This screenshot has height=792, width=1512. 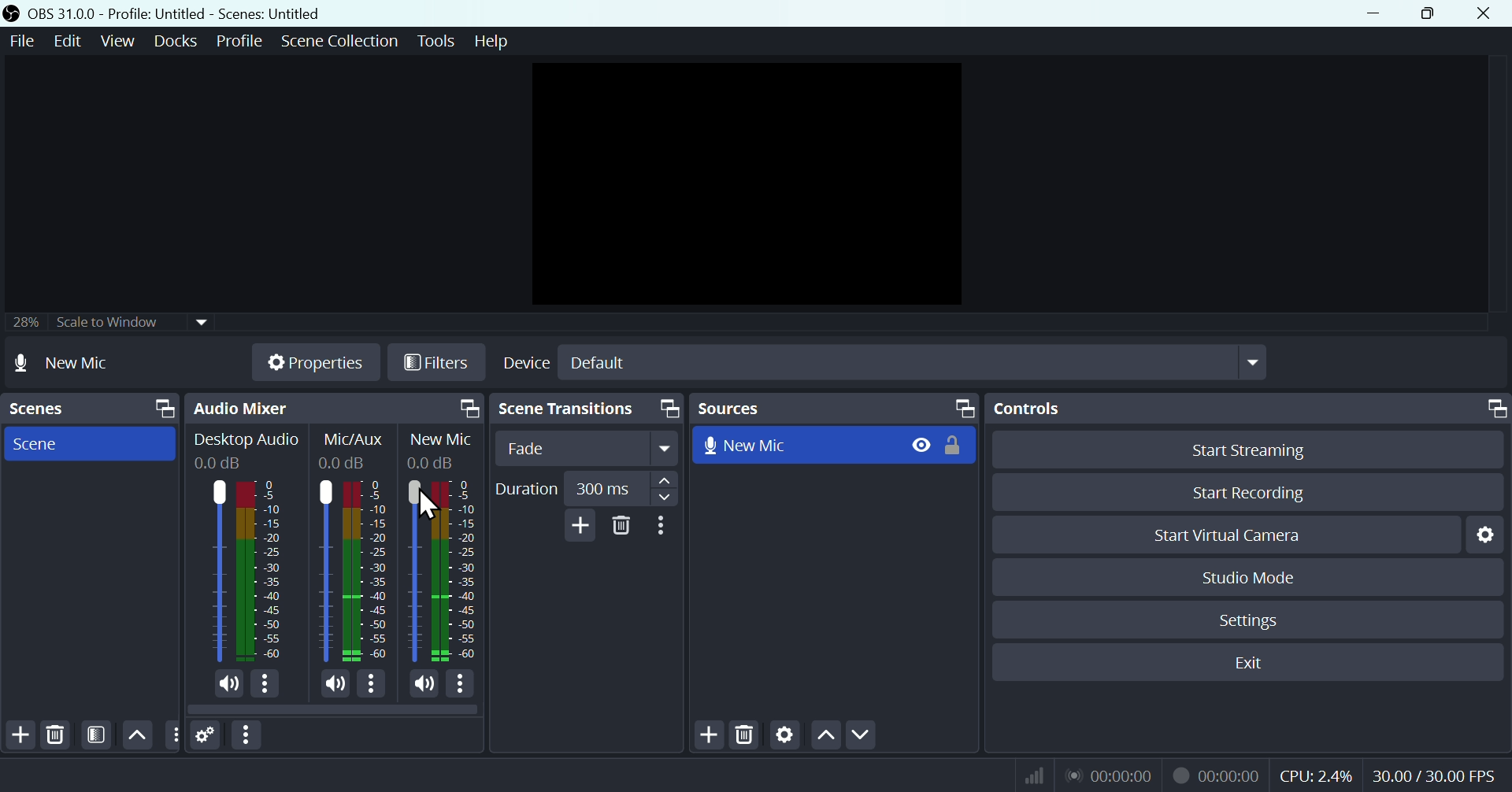 What do you see at coordinates (220, 464) in the screenshot?
I see `0.0dB` at bounding box center [220, 464].